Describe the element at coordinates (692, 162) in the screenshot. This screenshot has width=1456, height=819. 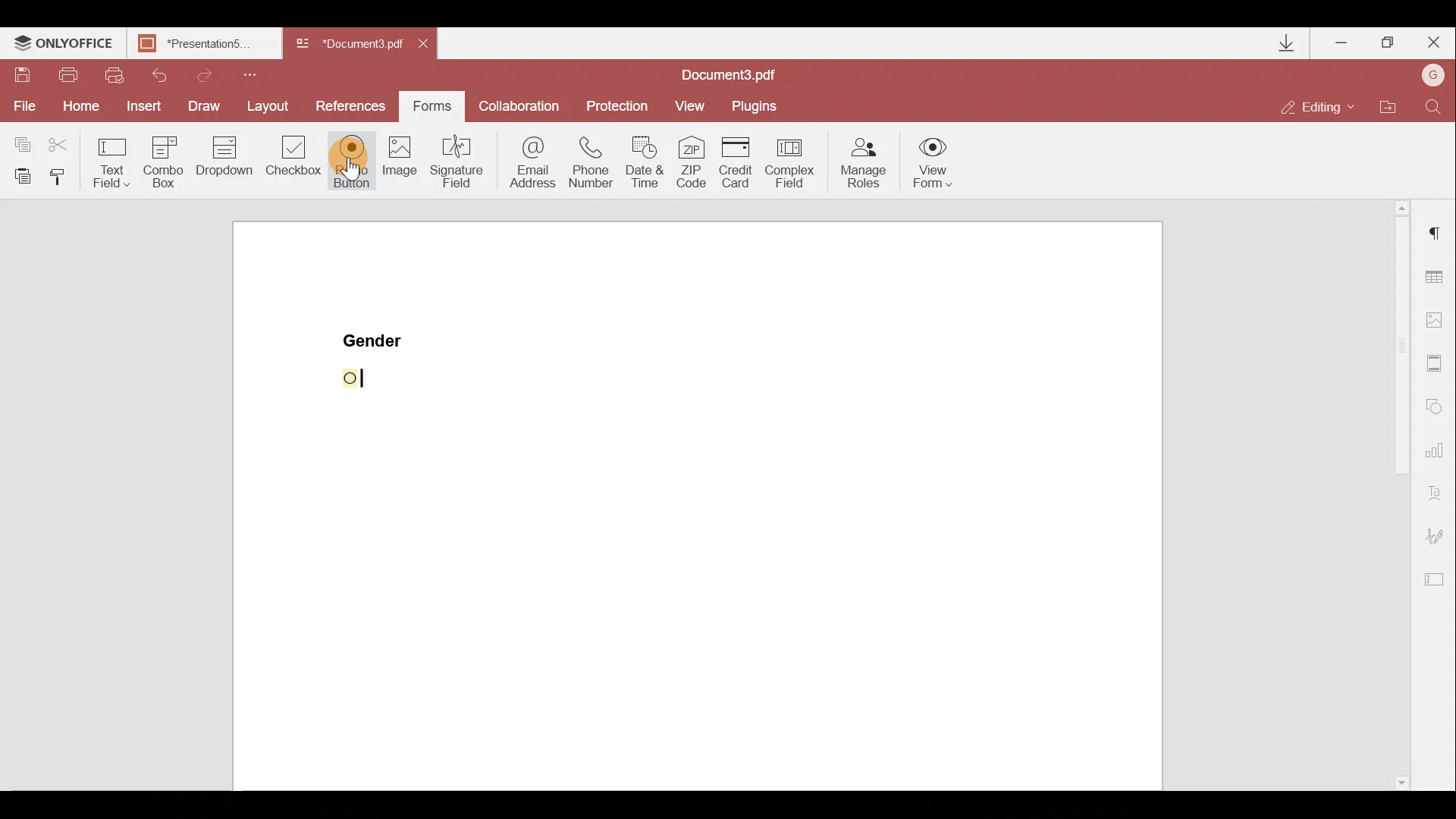
I see `ZIP code` at that location.